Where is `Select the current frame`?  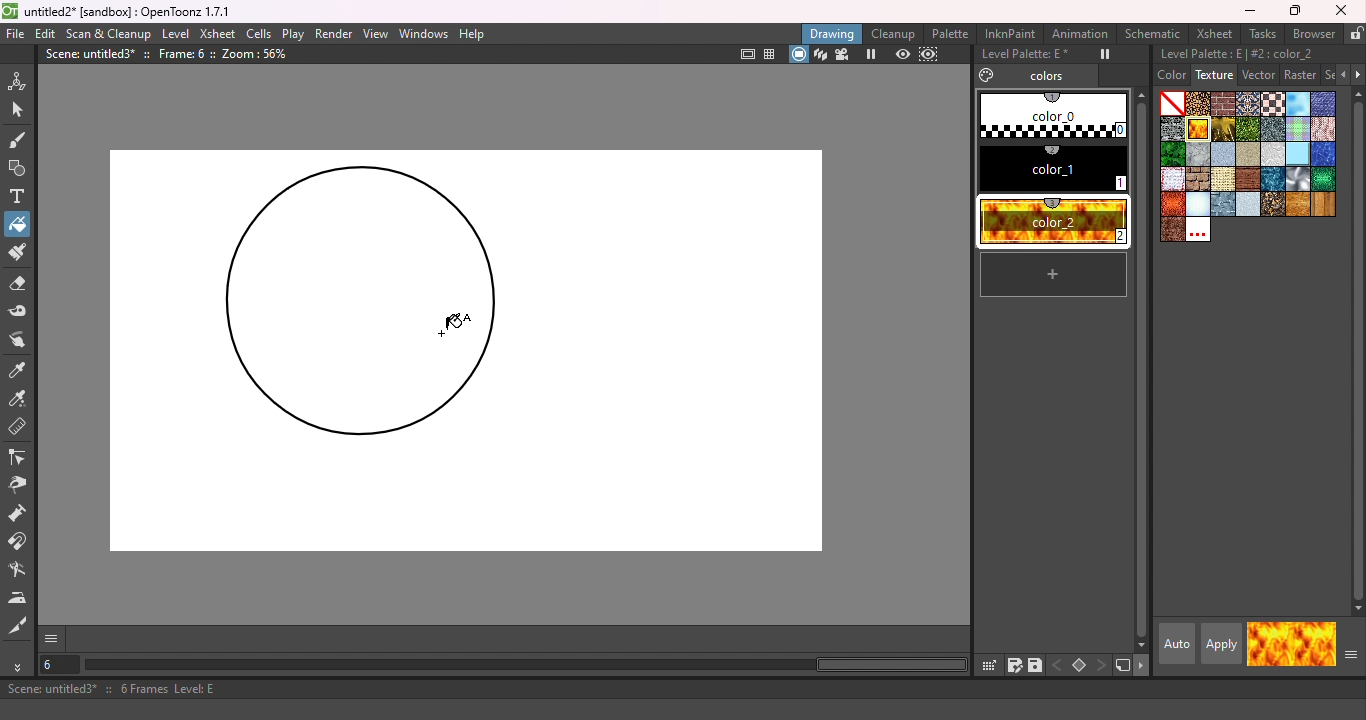 Select the current frame is located at coordinates (61, 666).